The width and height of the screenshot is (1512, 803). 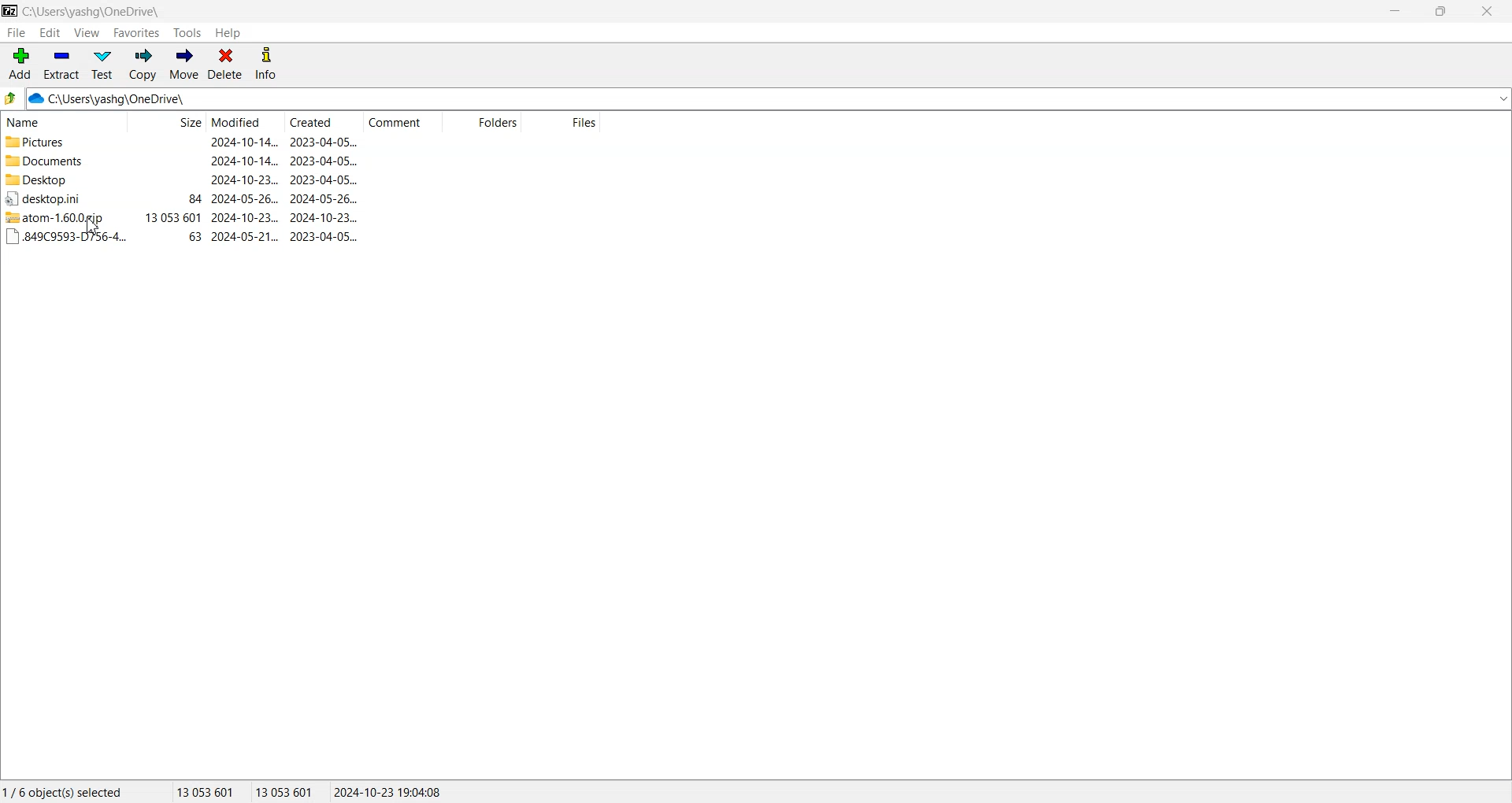 What do you see at coordinates (245, 199) in the screenshot?
I see `2024-05-26` at bounding box center [245, 199].